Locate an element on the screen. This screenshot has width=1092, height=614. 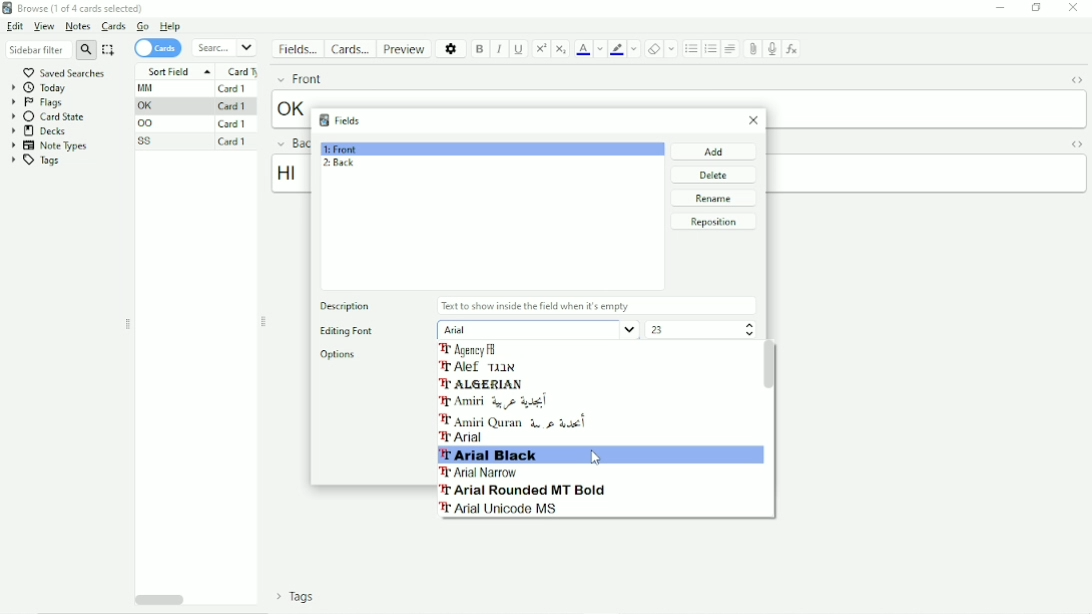
MM is located at coordinates (149, 88).